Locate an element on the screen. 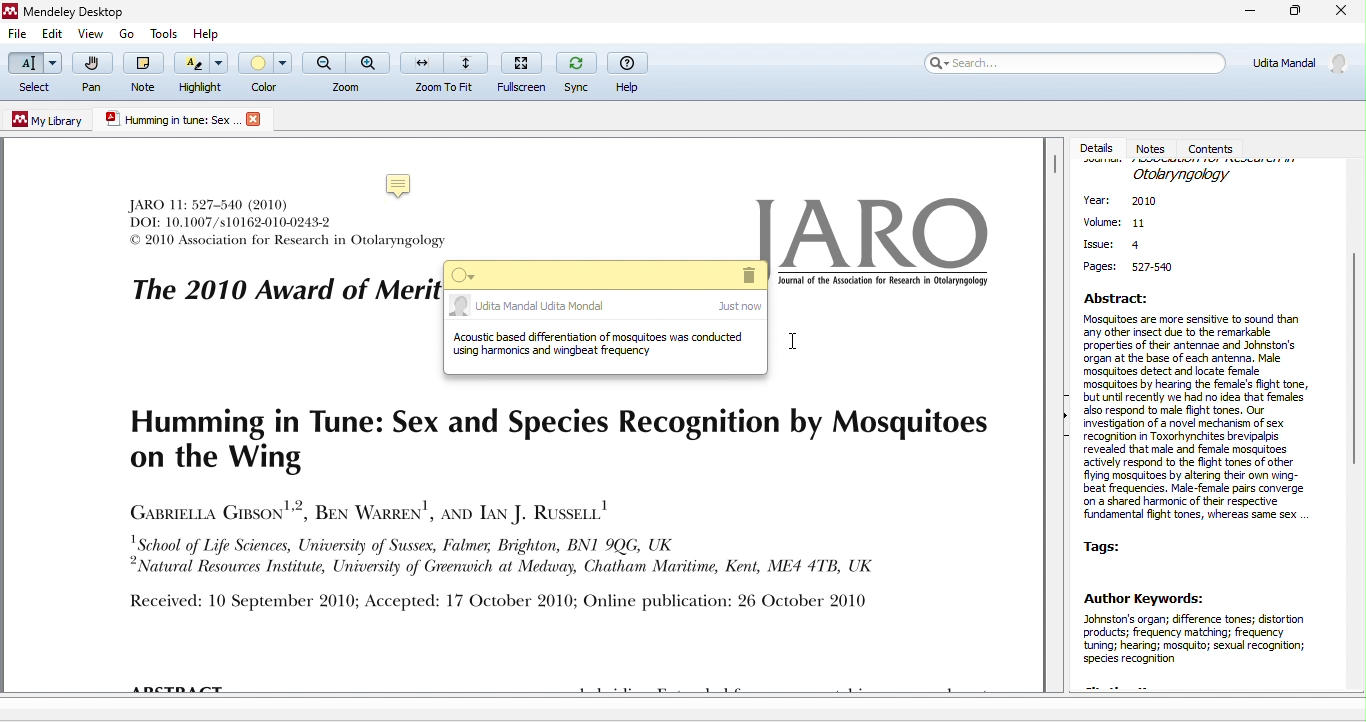  highlight is located at coordinates (201, 74).